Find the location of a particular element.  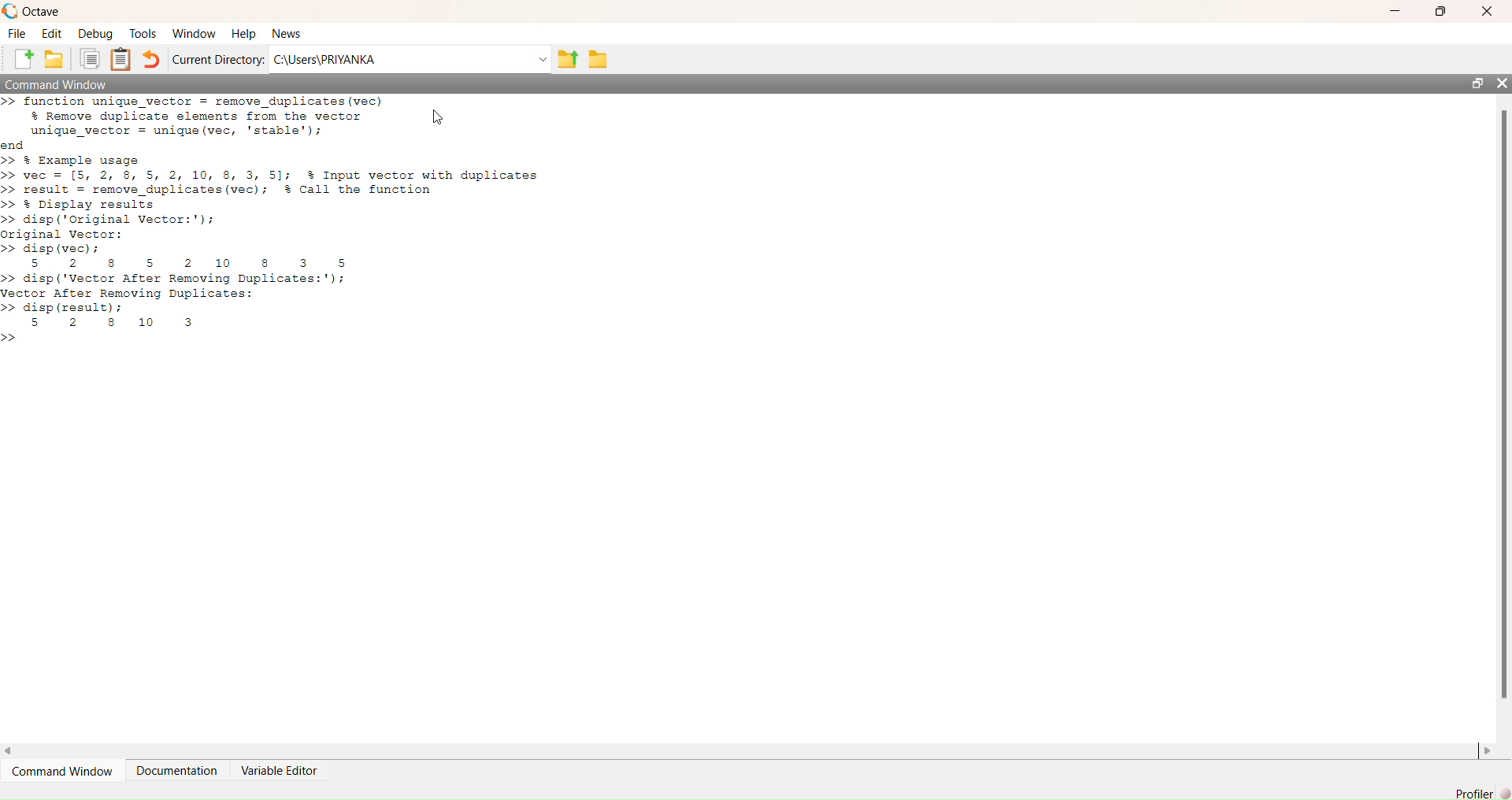

debug is located at coordinates (97, 35).